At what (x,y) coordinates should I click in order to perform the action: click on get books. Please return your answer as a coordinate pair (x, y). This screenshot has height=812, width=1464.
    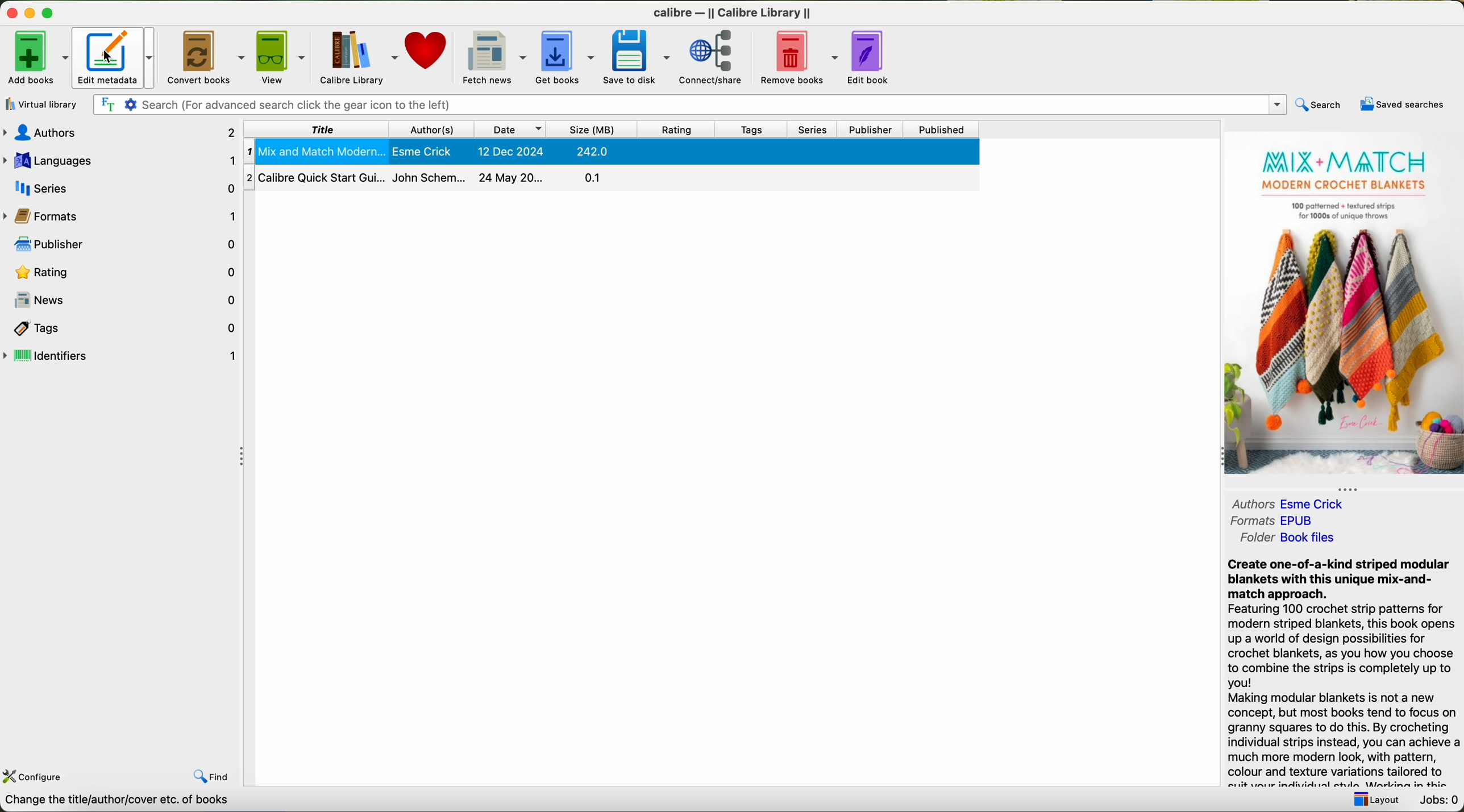
    Looking at the image, I should click on (565, 56).